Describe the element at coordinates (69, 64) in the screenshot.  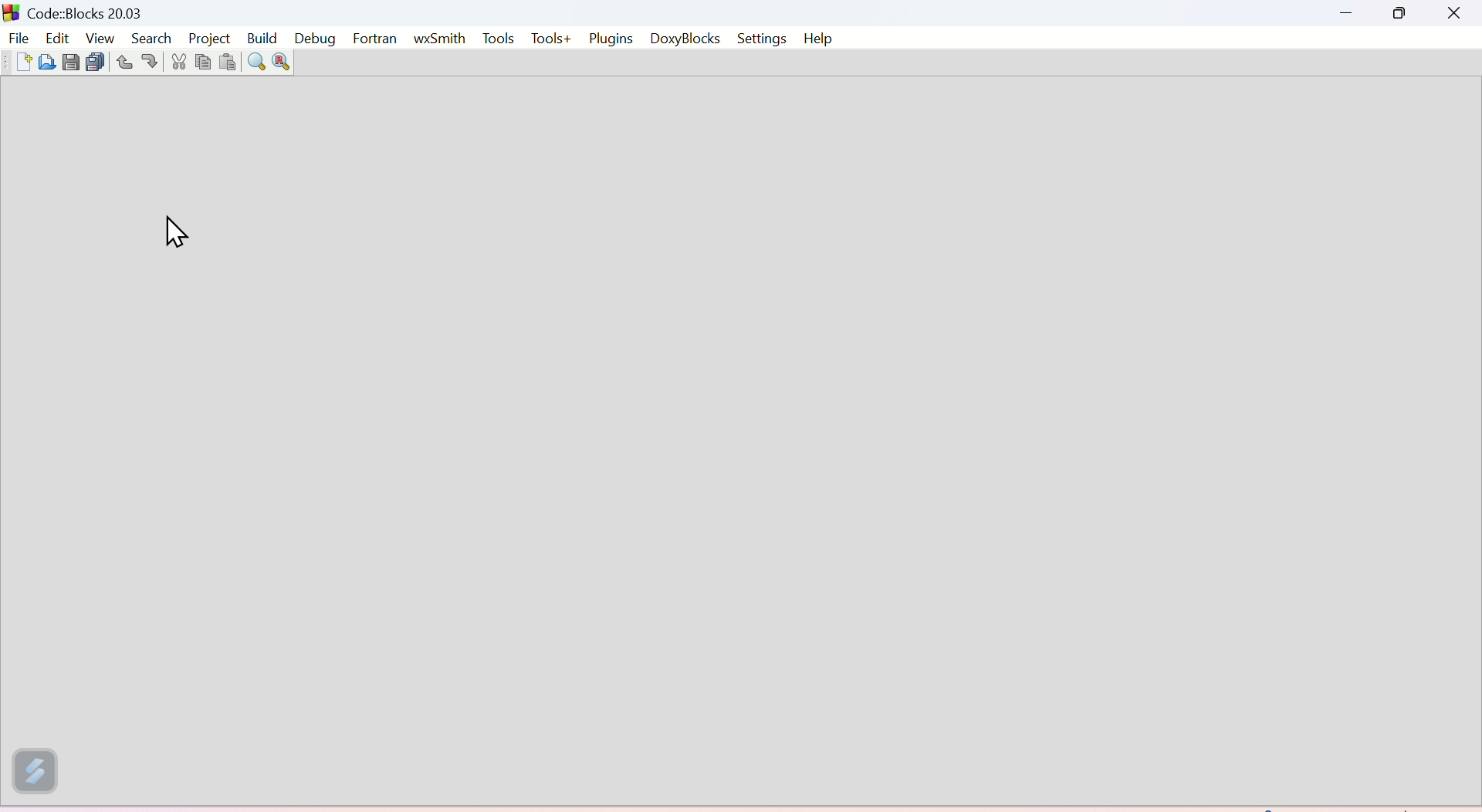
I see `` at that location.